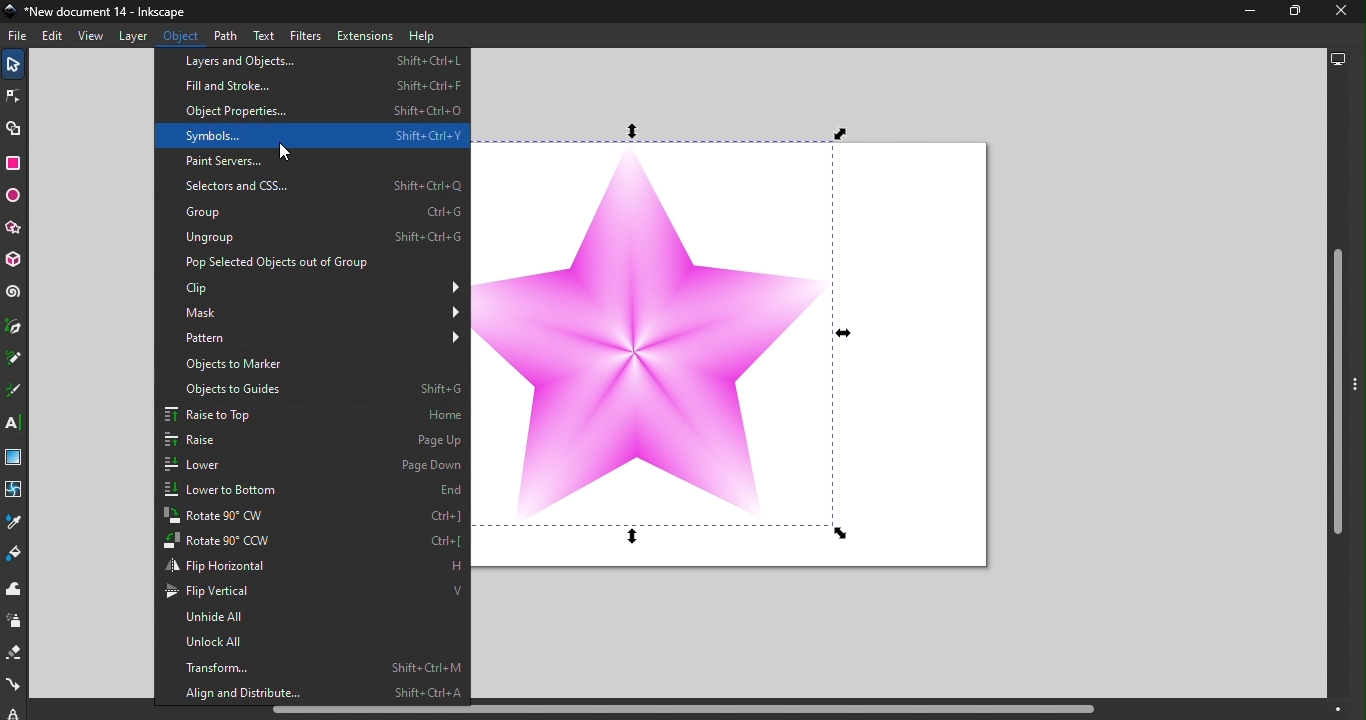 This screenshot has width=1366, height=720. Describe the element at coordinates (1288, 12) in the screenshot. I see `Maximize` at that location.